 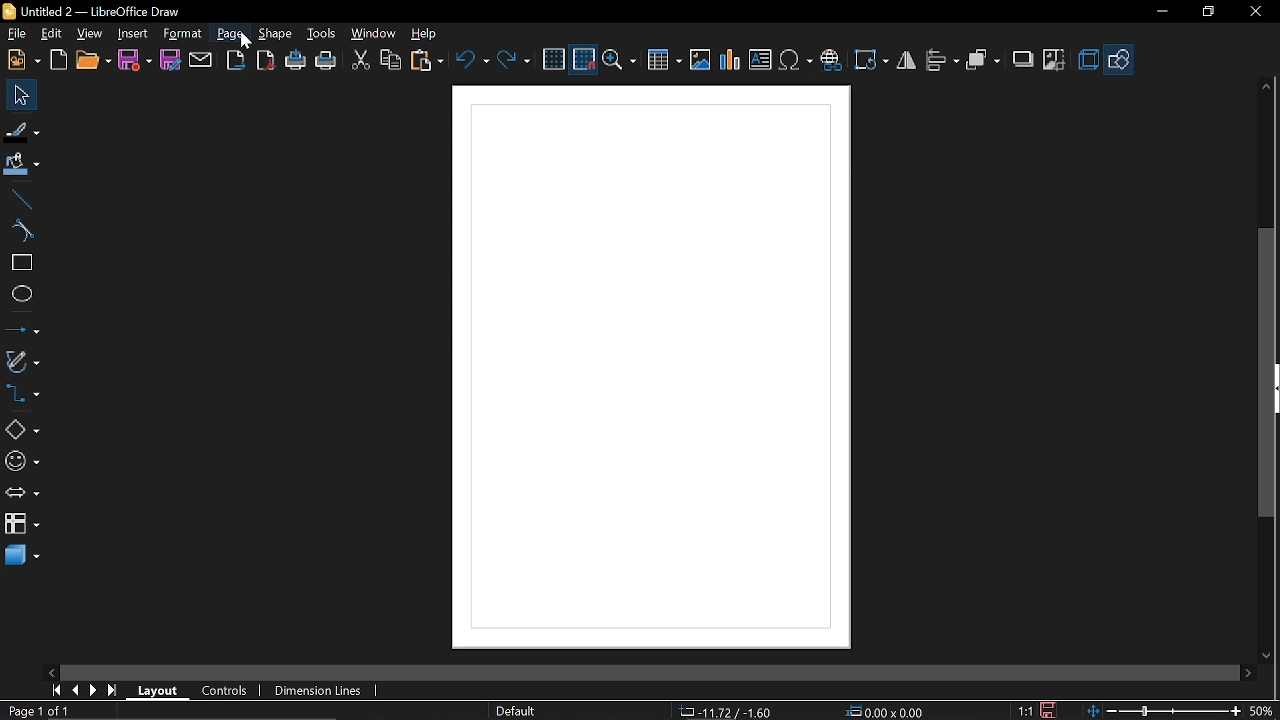 I want to click on Dimension lines, so click(x=314, y=688).